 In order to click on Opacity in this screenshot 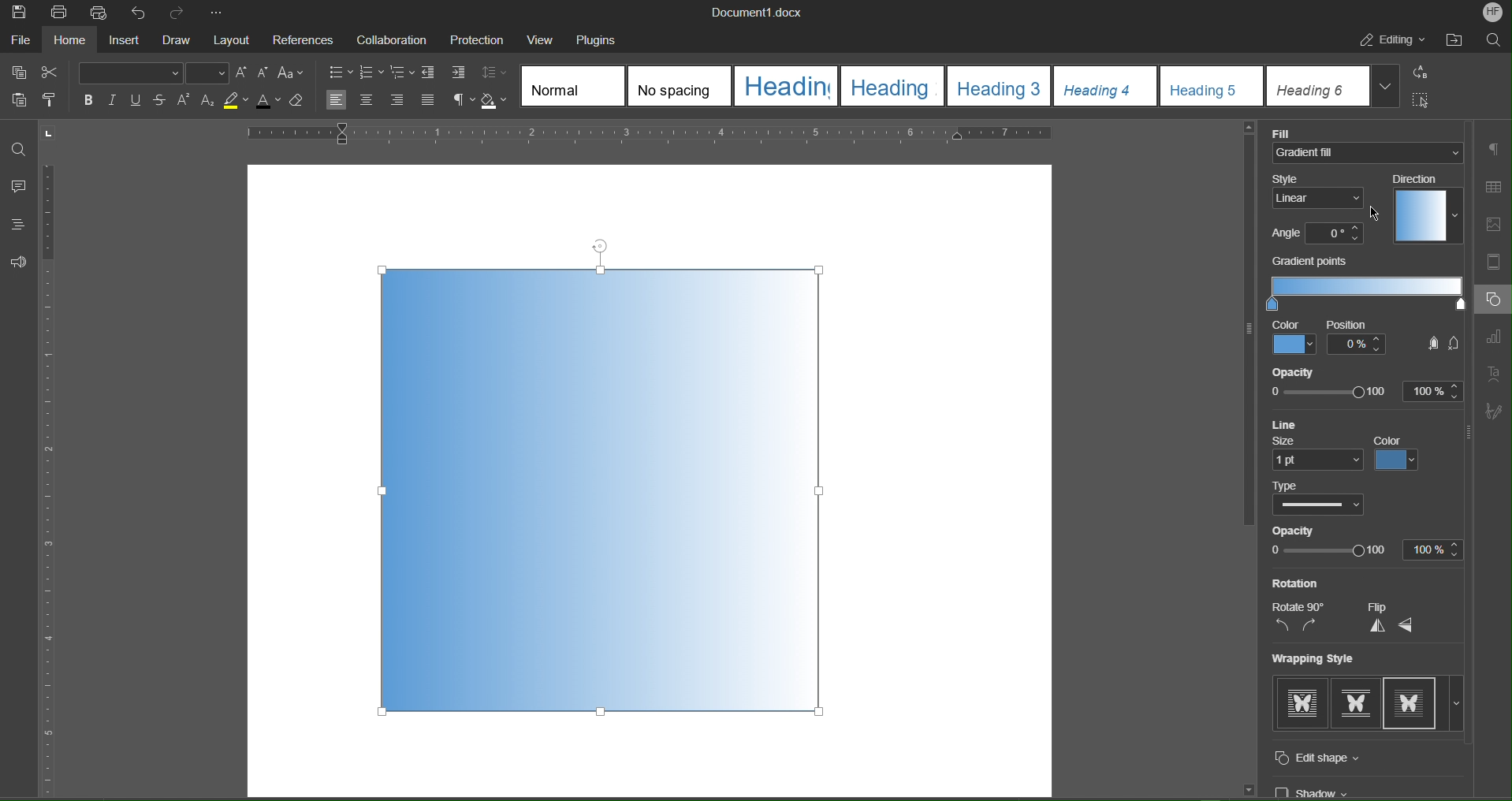, I will do `click(1313, 369)`.